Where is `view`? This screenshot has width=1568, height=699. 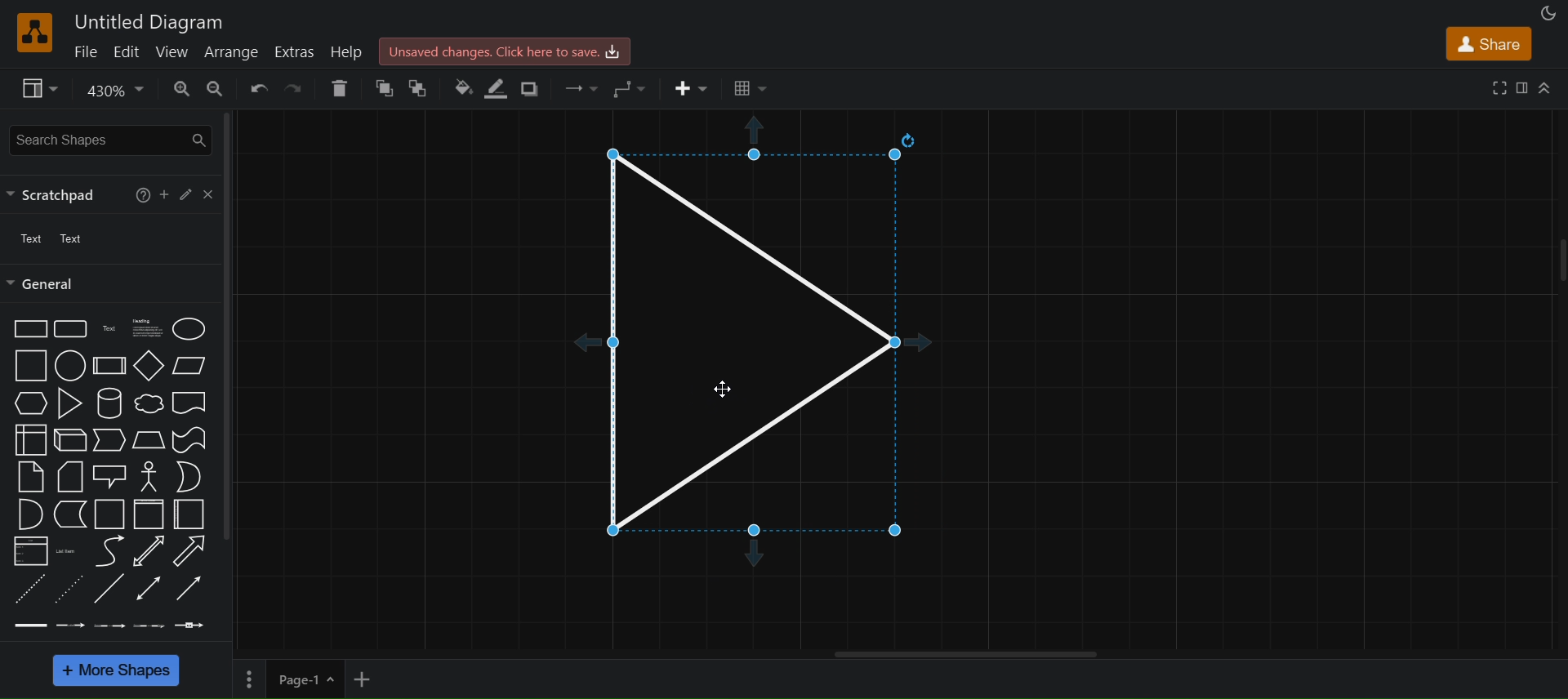 view is located at coordinates (39, 88).